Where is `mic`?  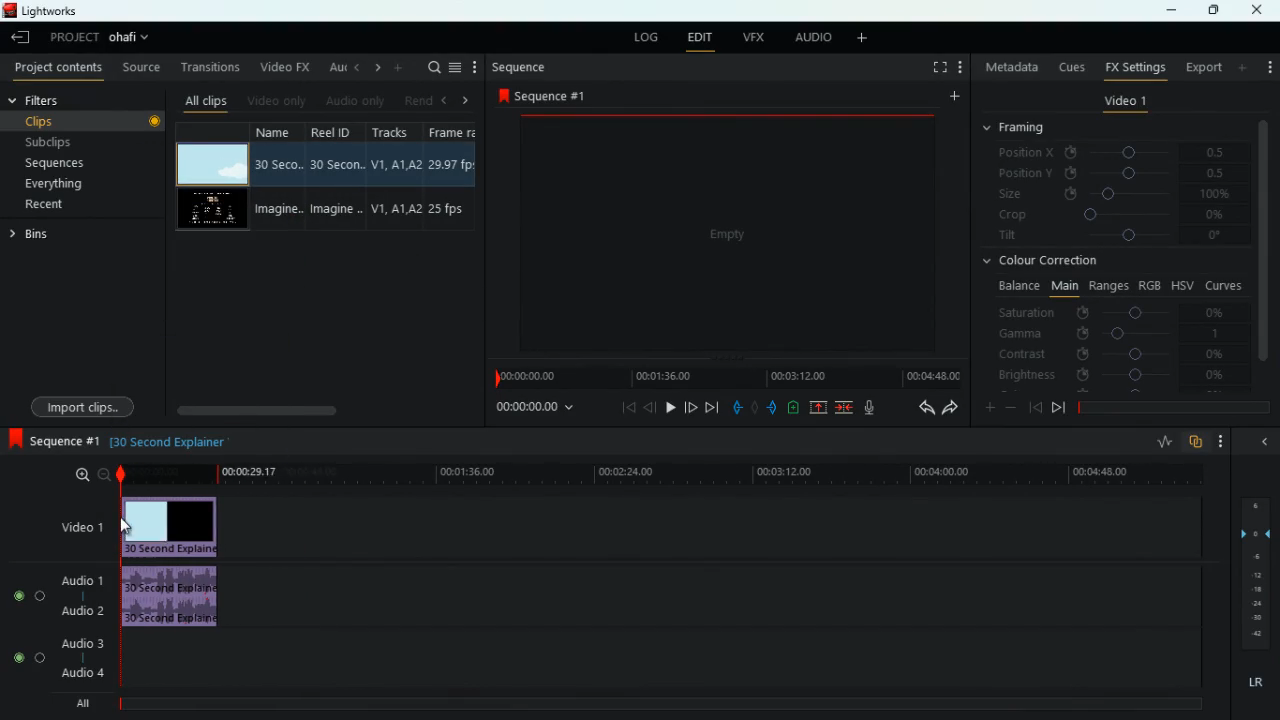
mic is located at coordinates (869, 407).